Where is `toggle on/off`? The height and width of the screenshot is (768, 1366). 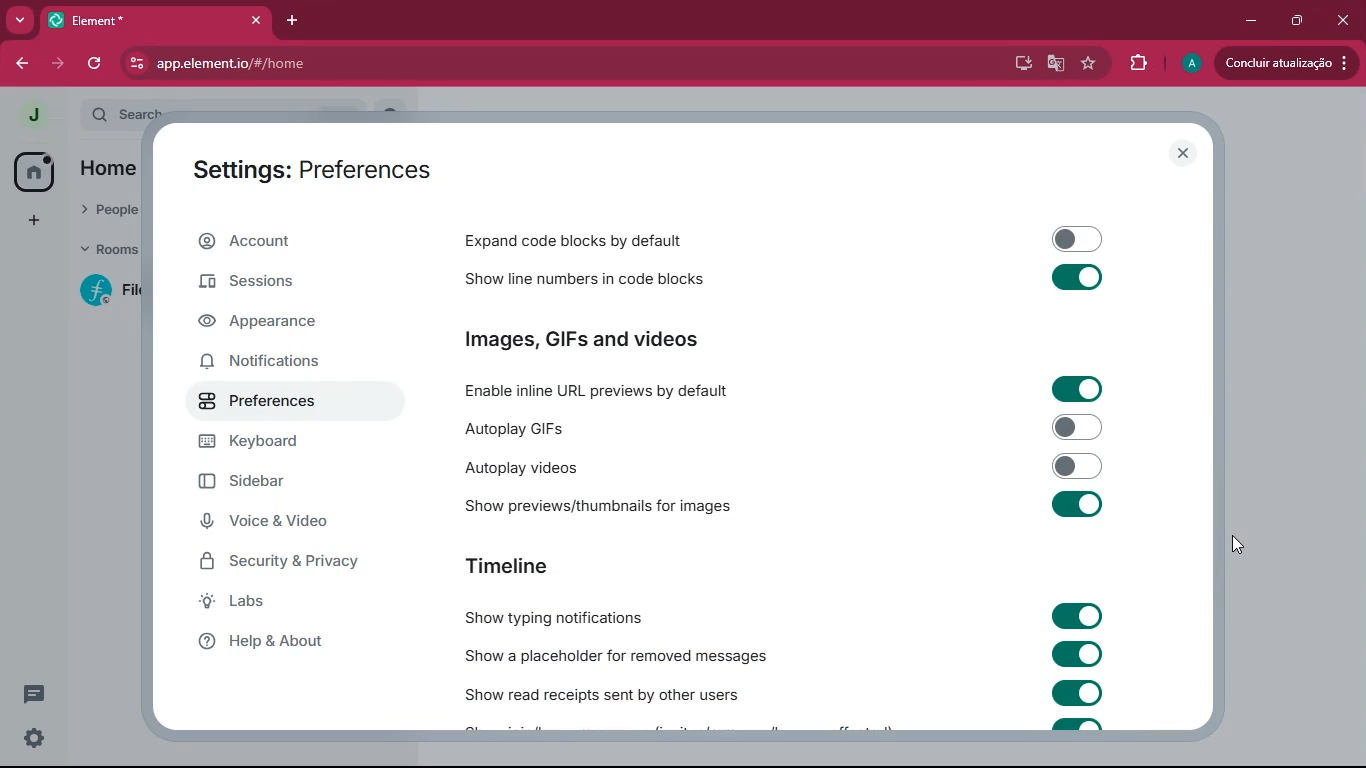
toggle on/off is located at coordinates (1078, 389).